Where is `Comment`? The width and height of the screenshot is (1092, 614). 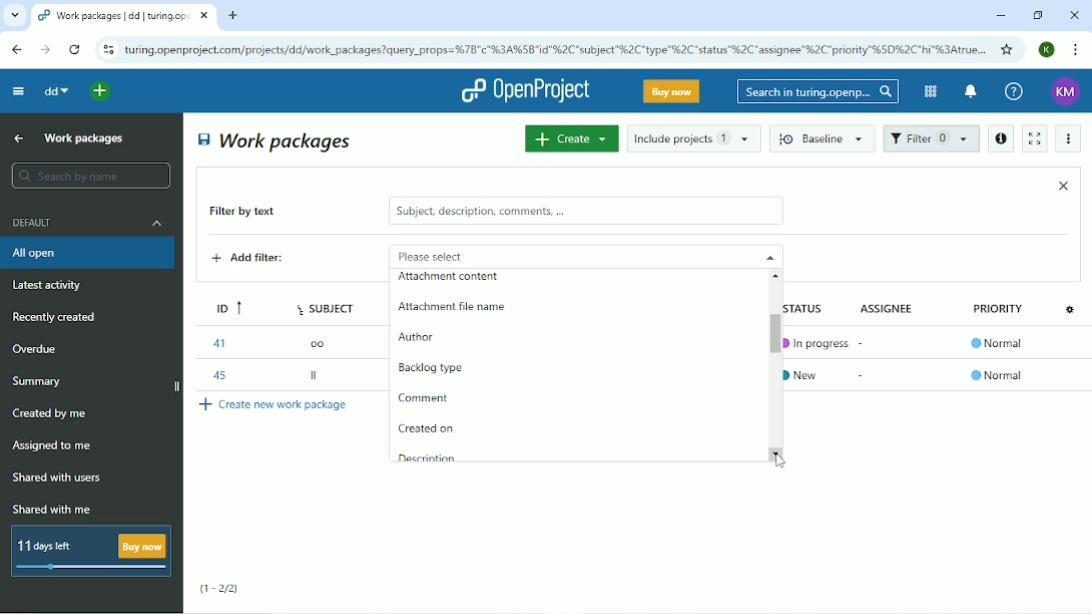
Comment is located at coordinates (425, 400).